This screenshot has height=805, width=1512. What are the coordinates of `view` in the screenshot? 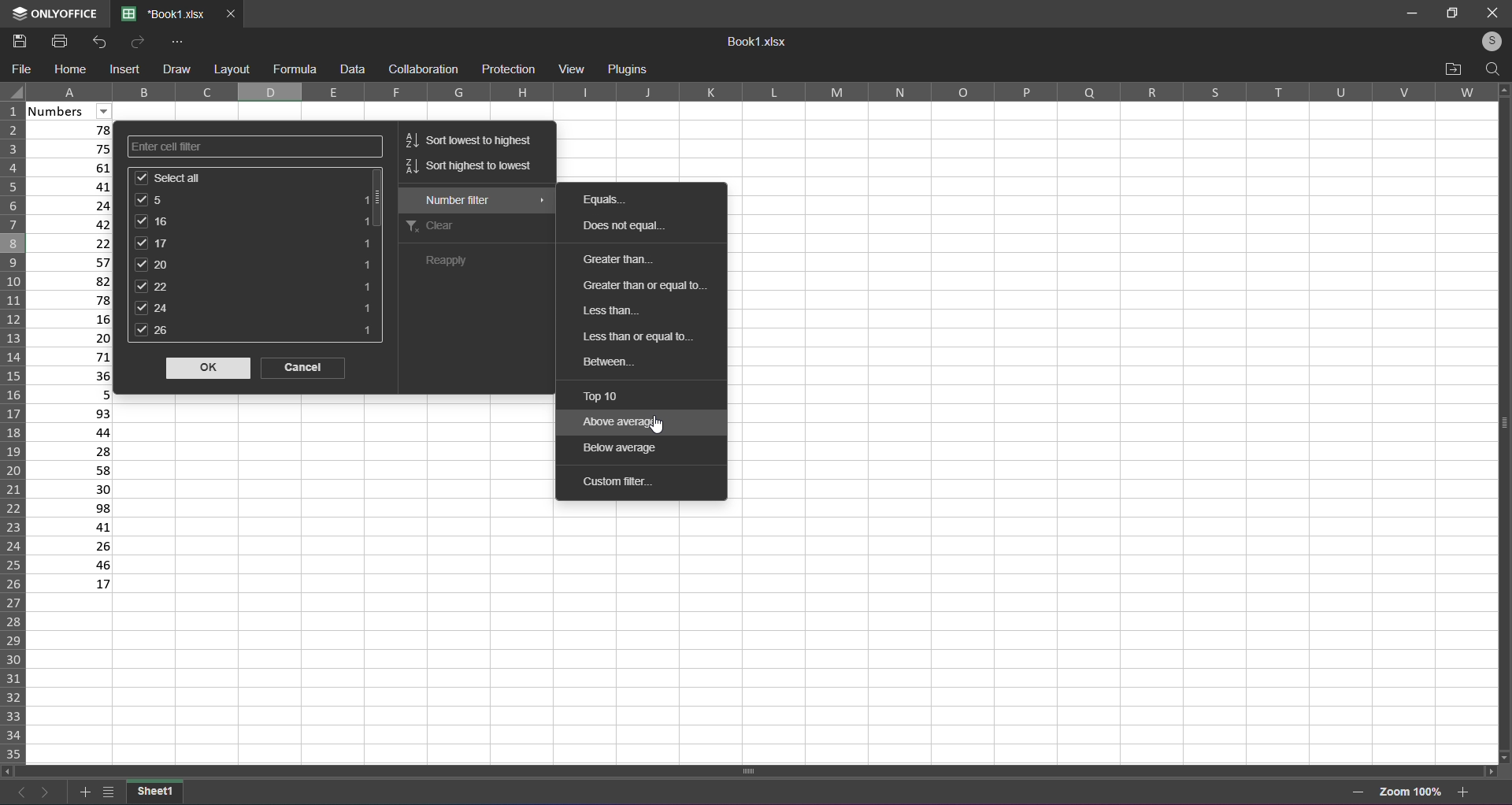 It's located at (570, 68).